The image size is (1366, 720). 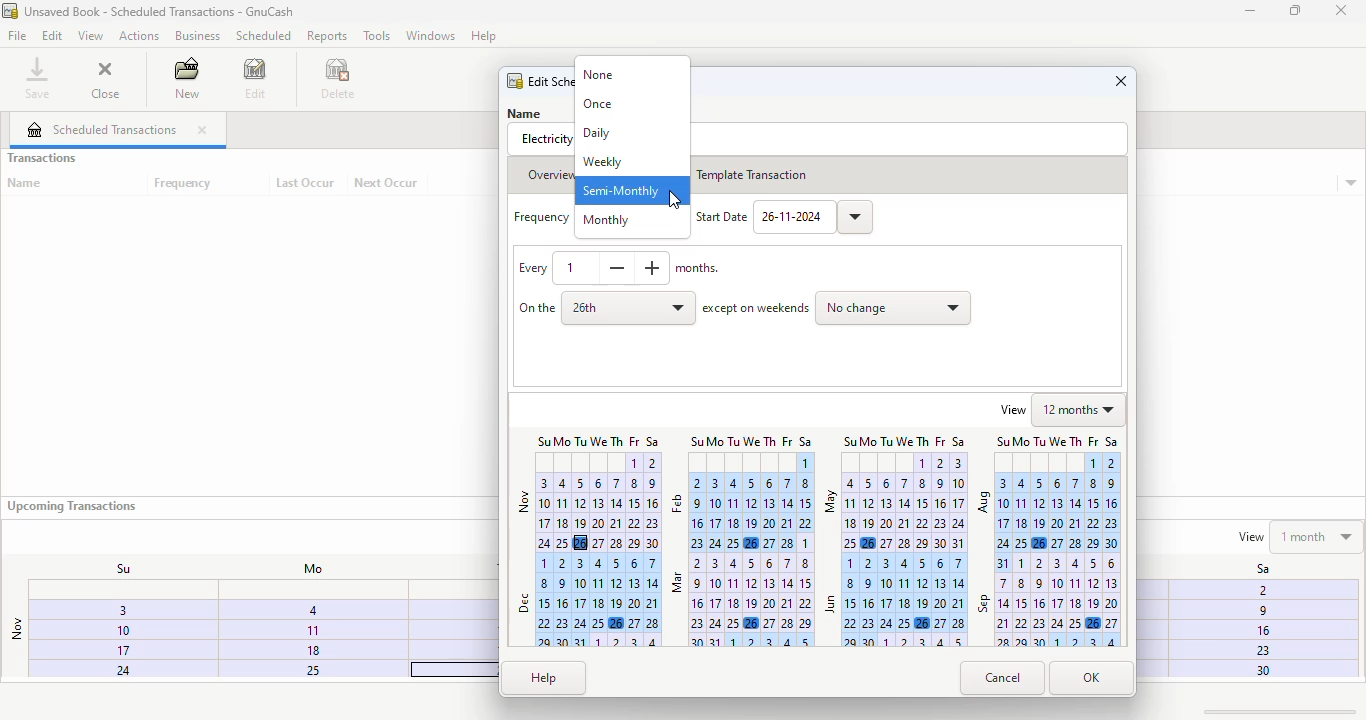 I want to click on 10, so click(x=106, y=631).